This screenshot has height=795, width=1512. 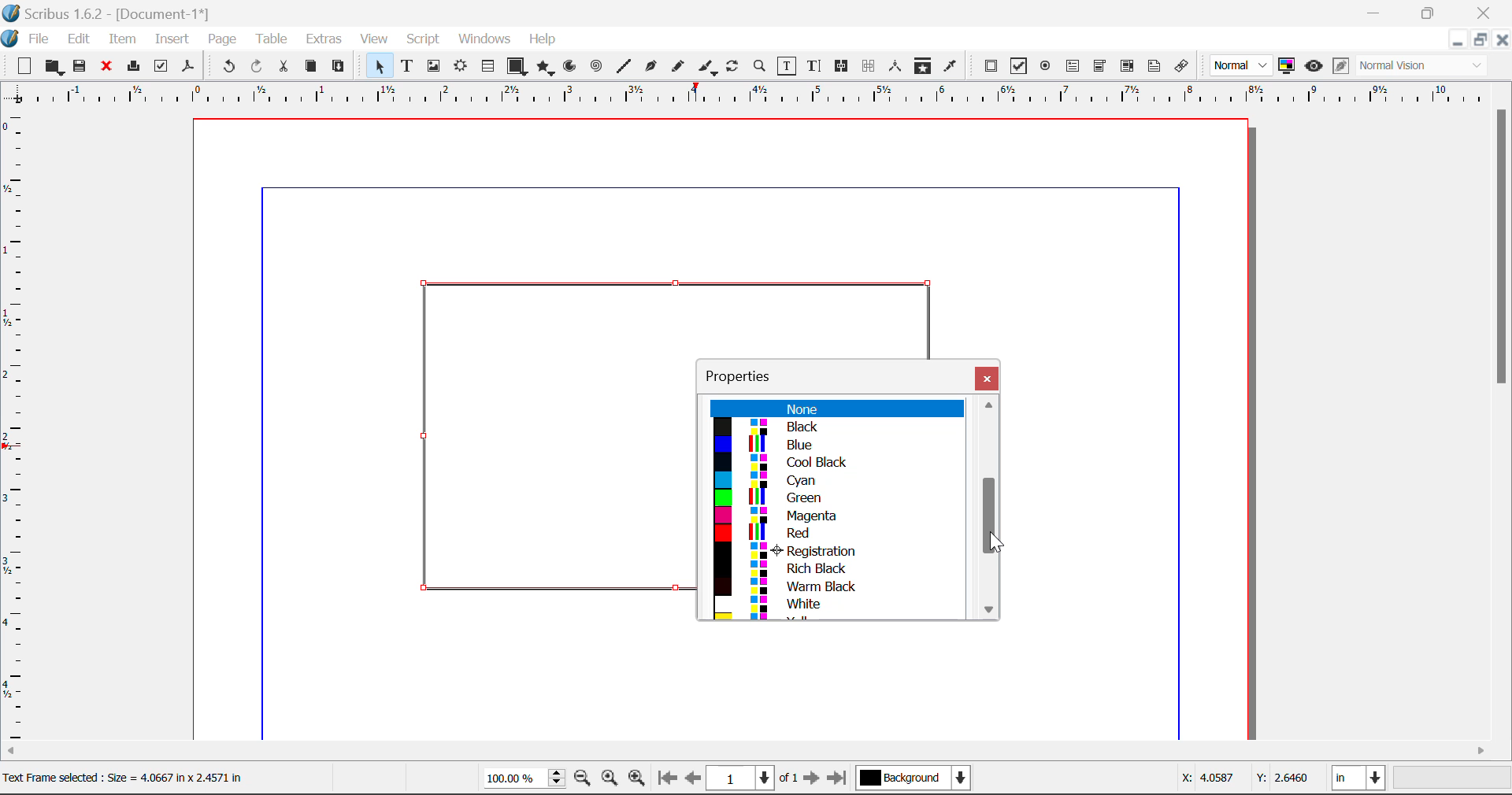 What do you see at coordinates (543, 39) in the screenshot?
I see `Help` at bounding box center [543, 39].